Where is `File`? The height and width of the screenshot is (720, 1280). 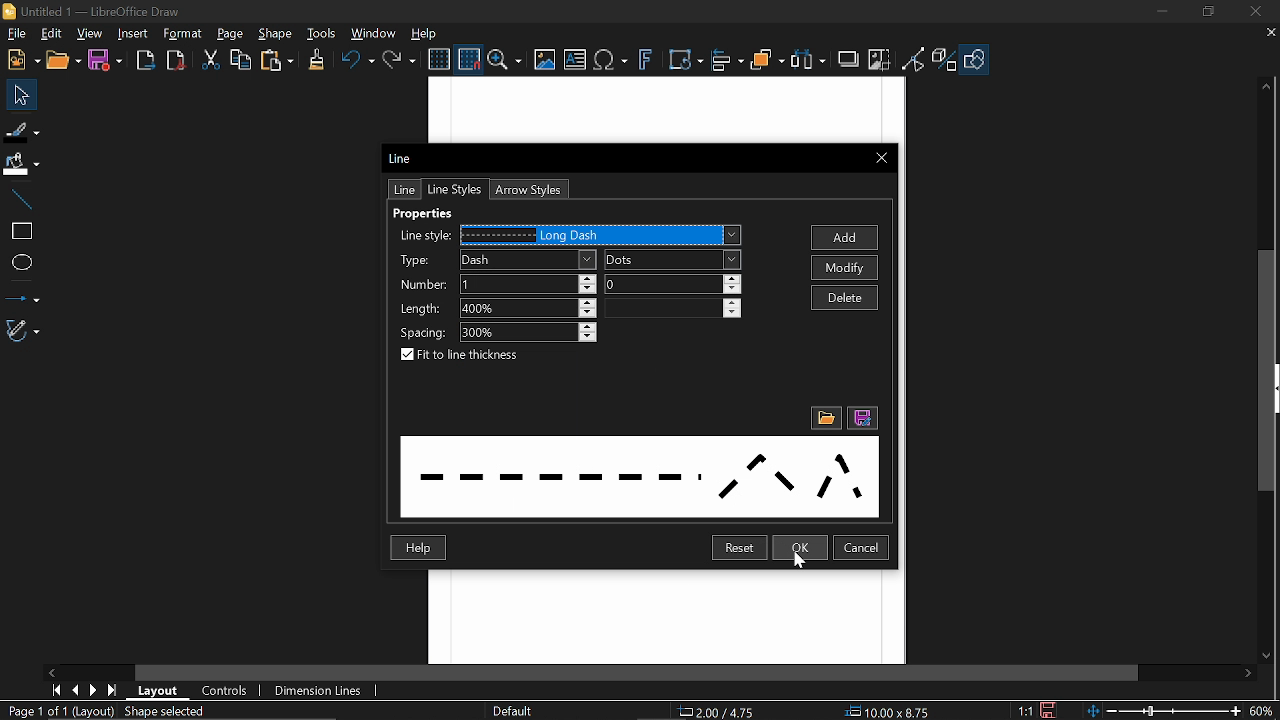 File is located at coordinates (825, 419).